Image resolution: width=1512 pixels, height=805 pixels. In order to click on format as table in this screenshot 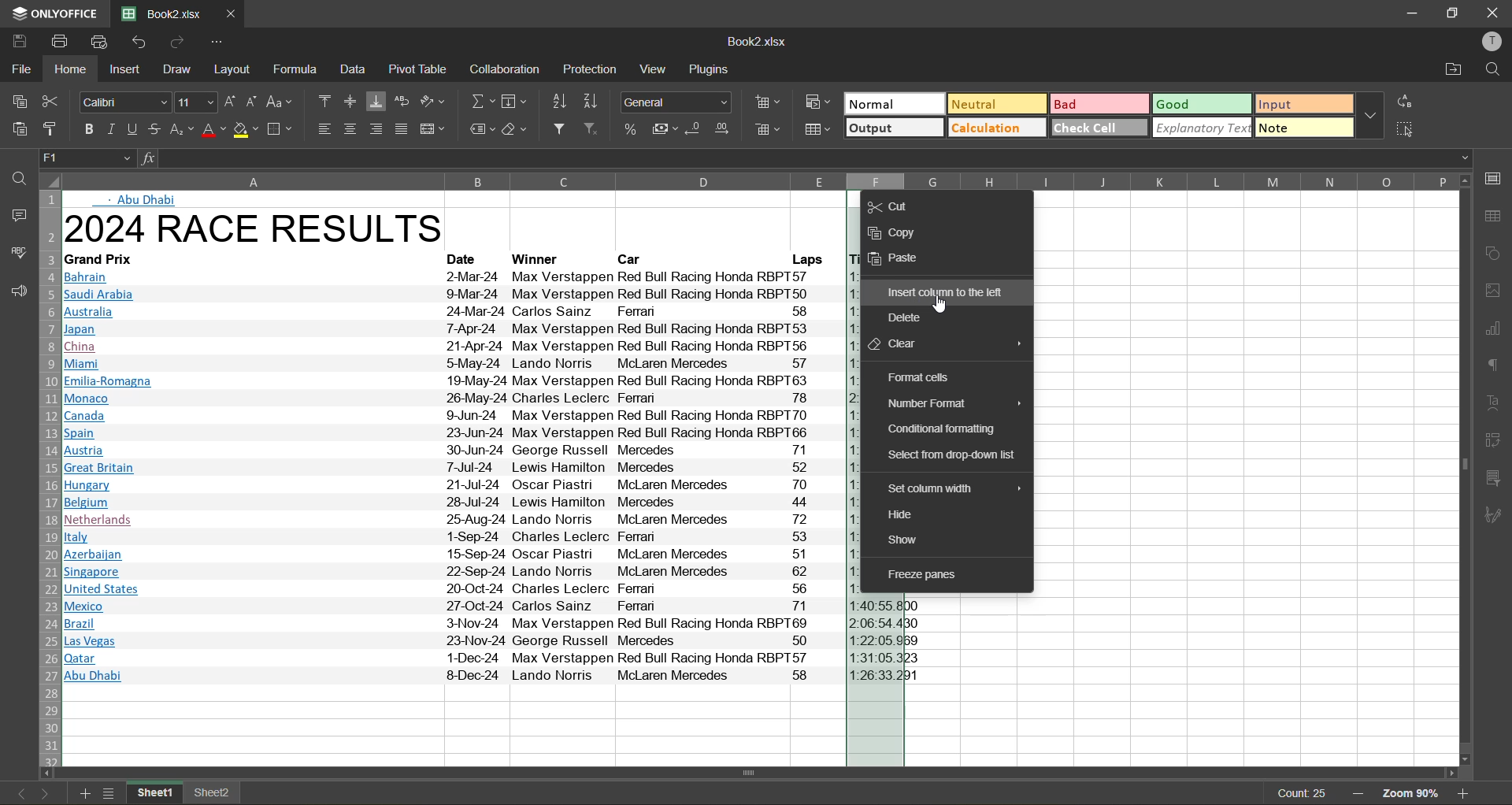, I will do `click(817, 129)`.